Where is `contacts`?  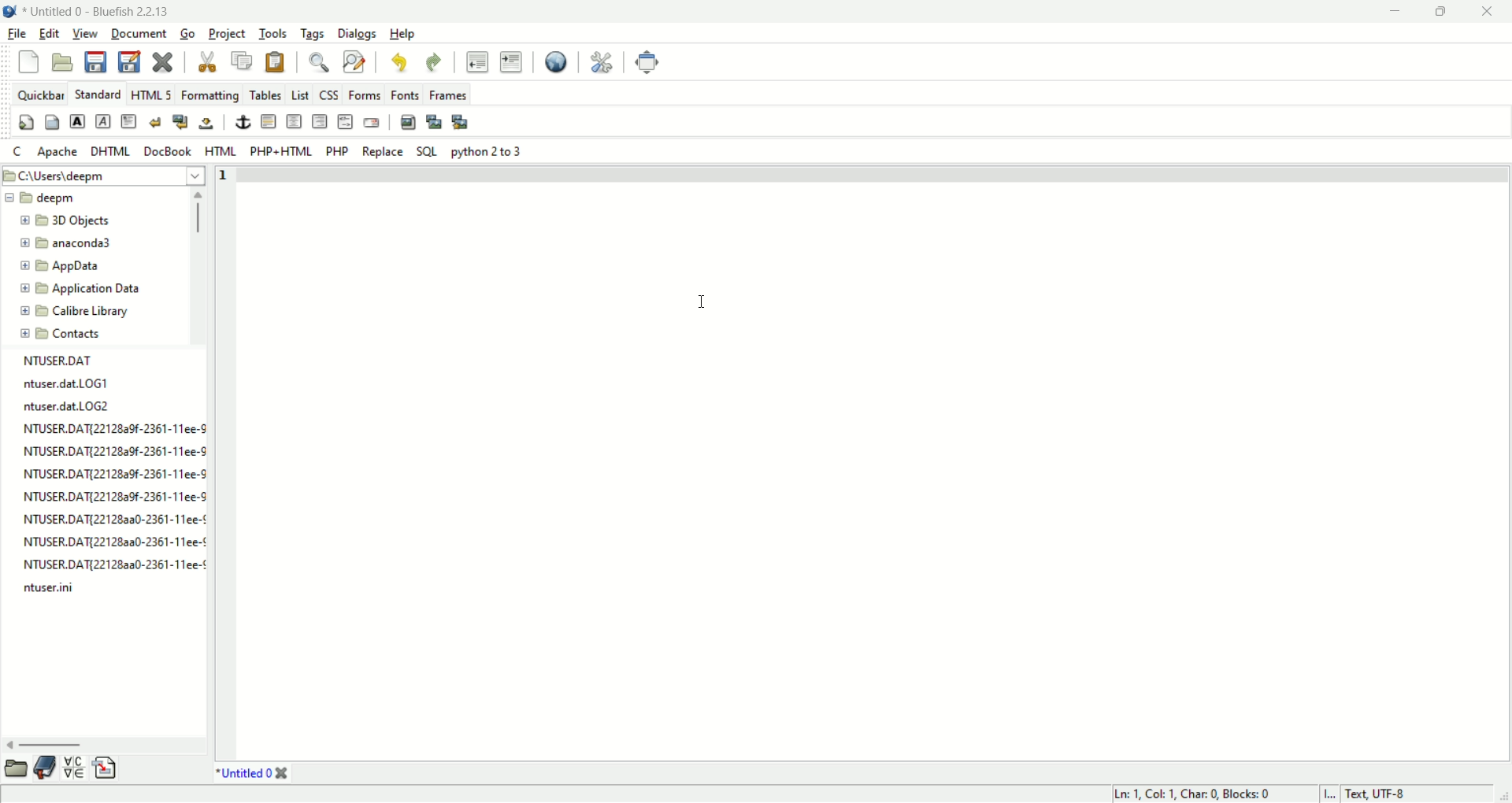
contacts is located at coordinates (61, 334).